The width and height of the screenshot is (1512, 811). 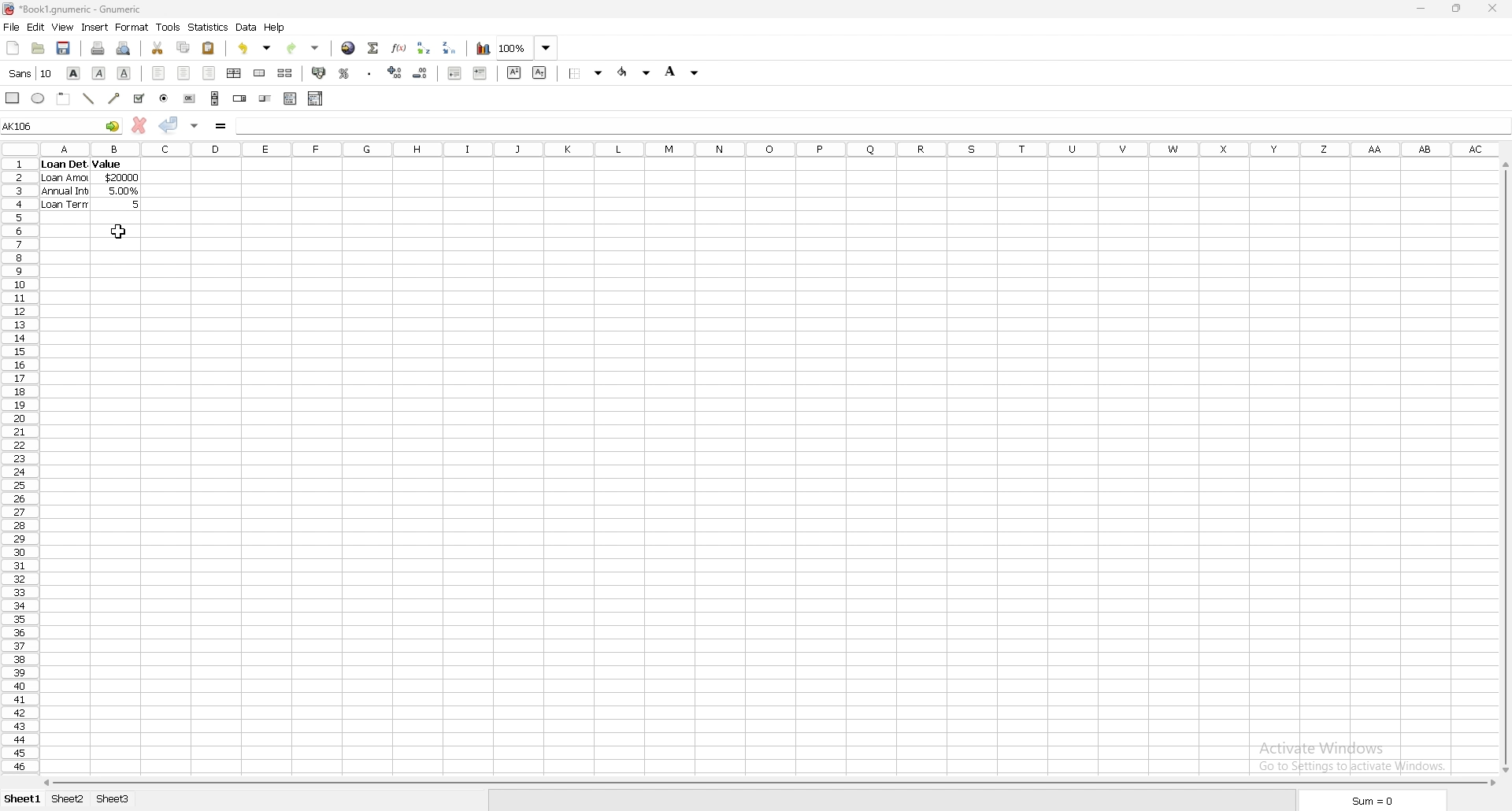 I want to click on functions, so click(x=400, y=49).